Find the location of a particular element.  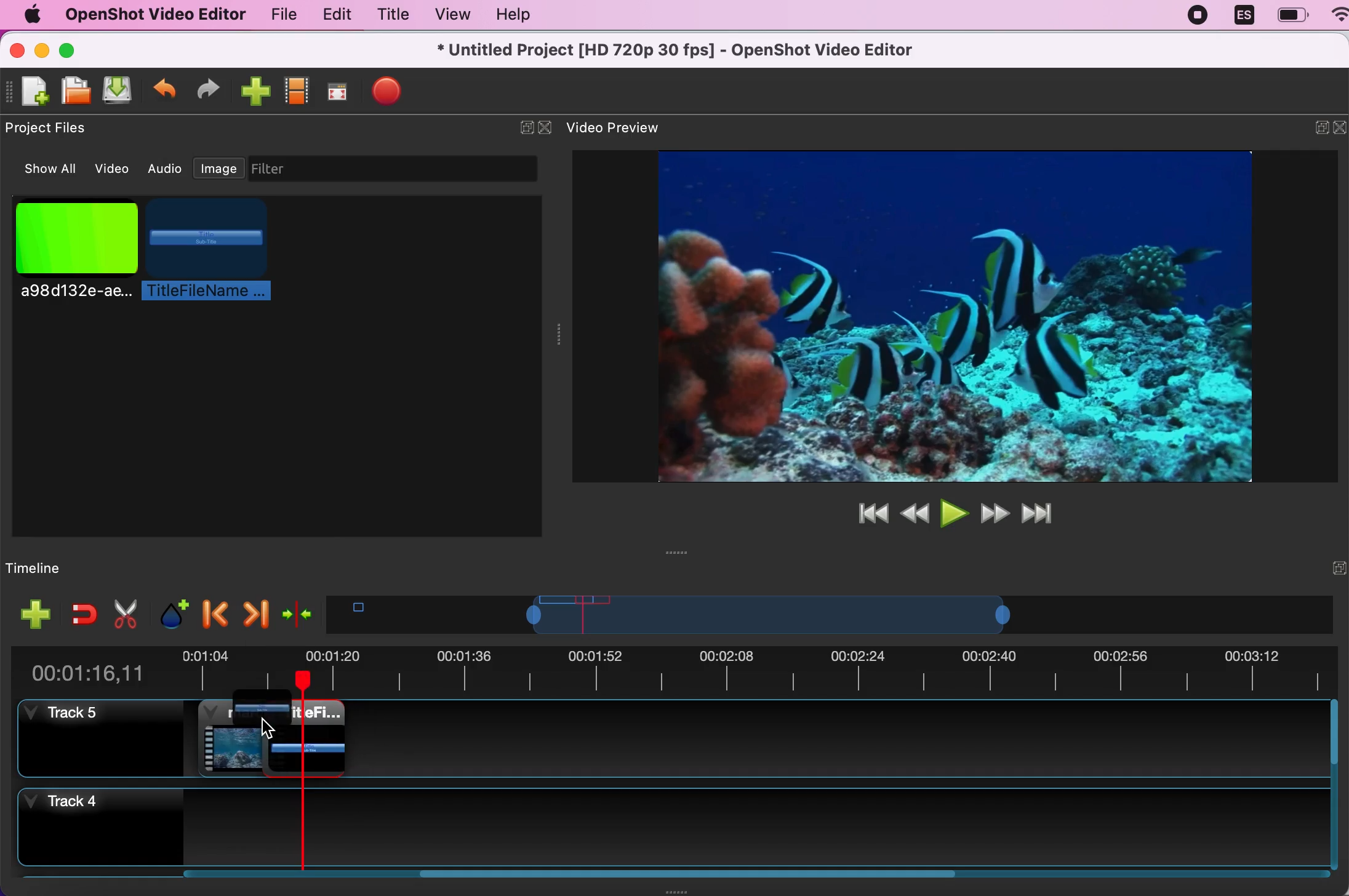

WIFI is located at coordinates (1340, 14).